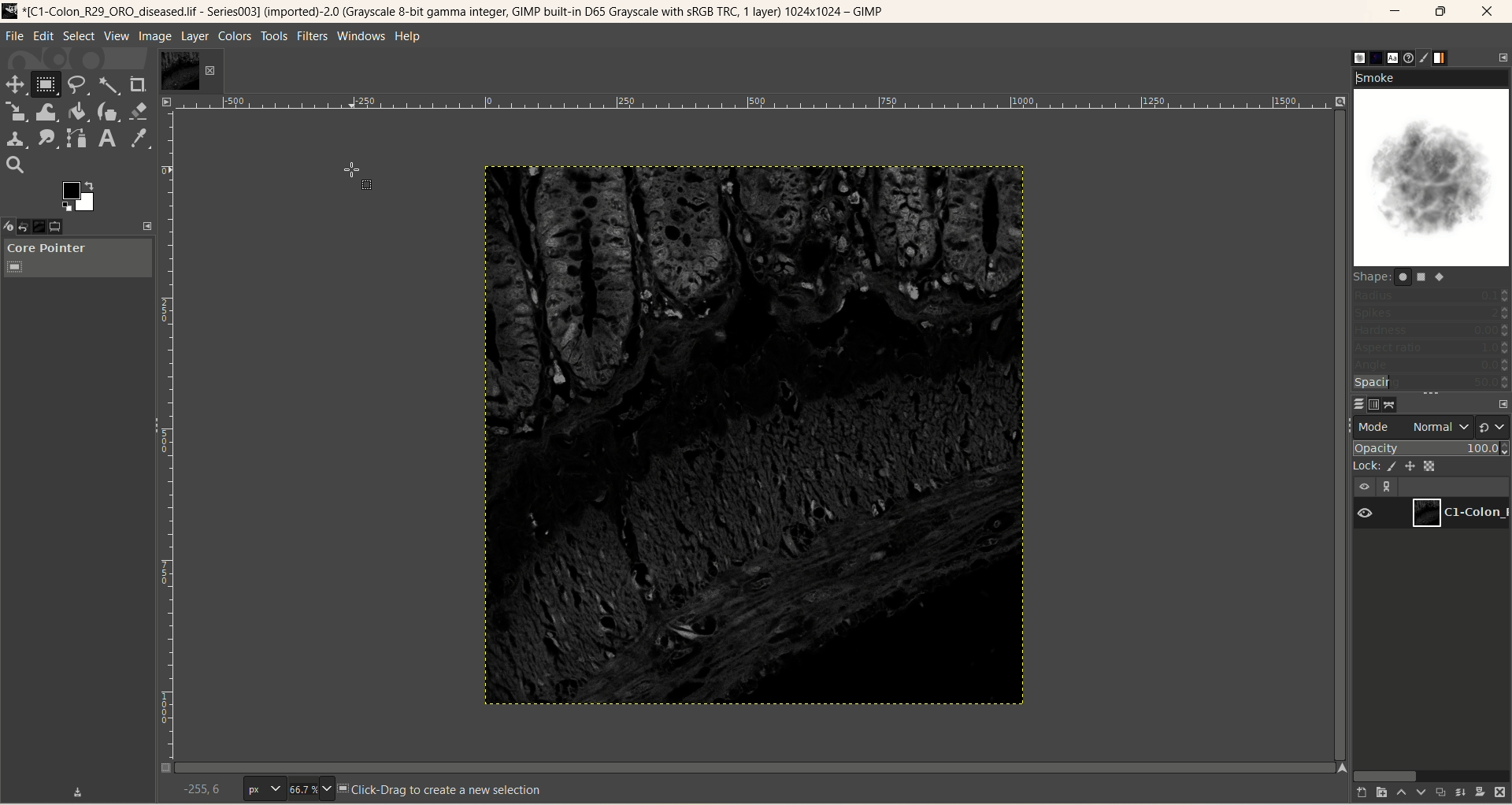  Describe the element at coordinates (1403, 793) in the screenshot. I see `raise this layer one step` at that location.